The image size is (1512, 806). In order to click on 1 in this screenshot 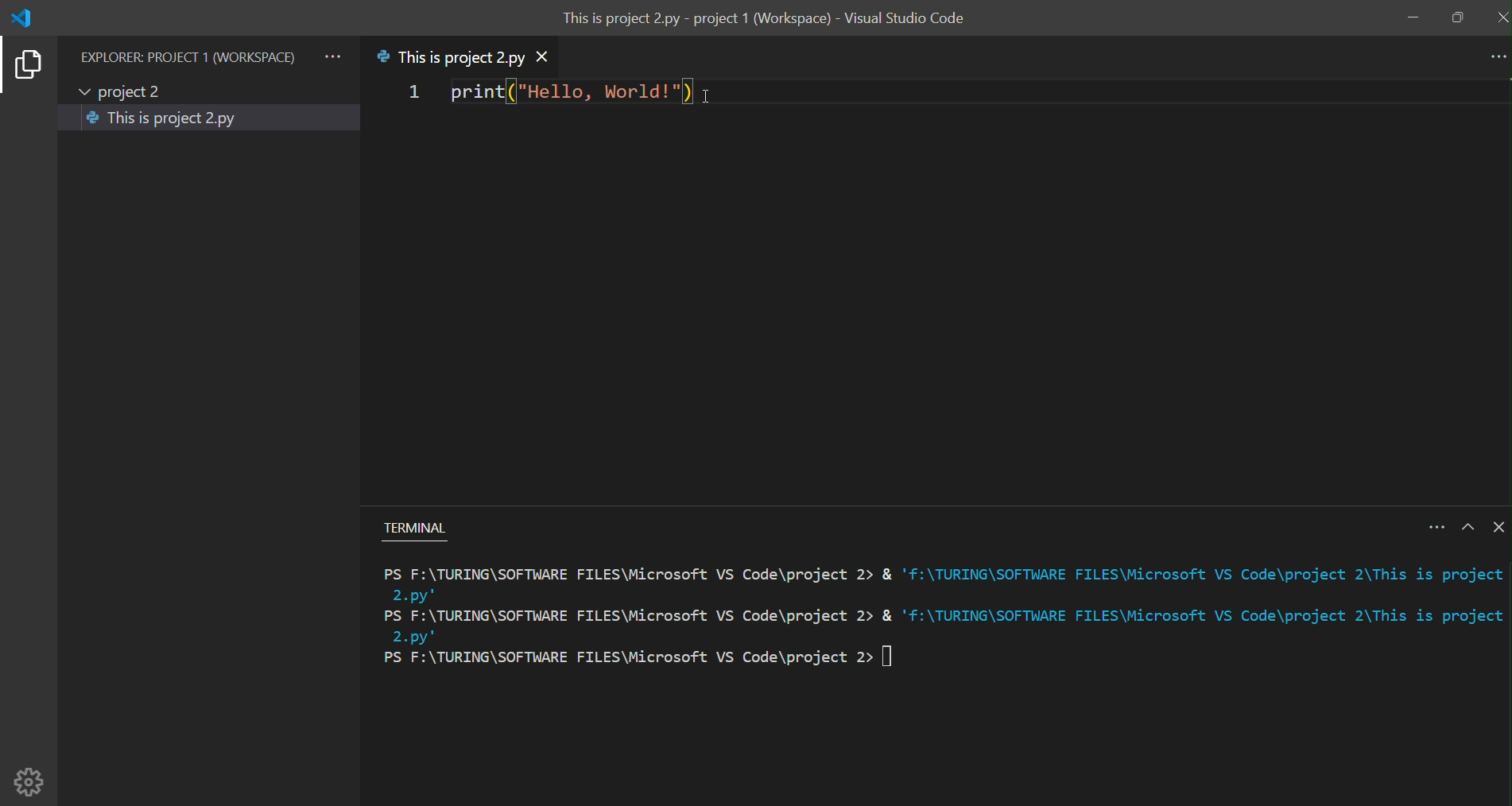, I will do `click(411, 93)`.